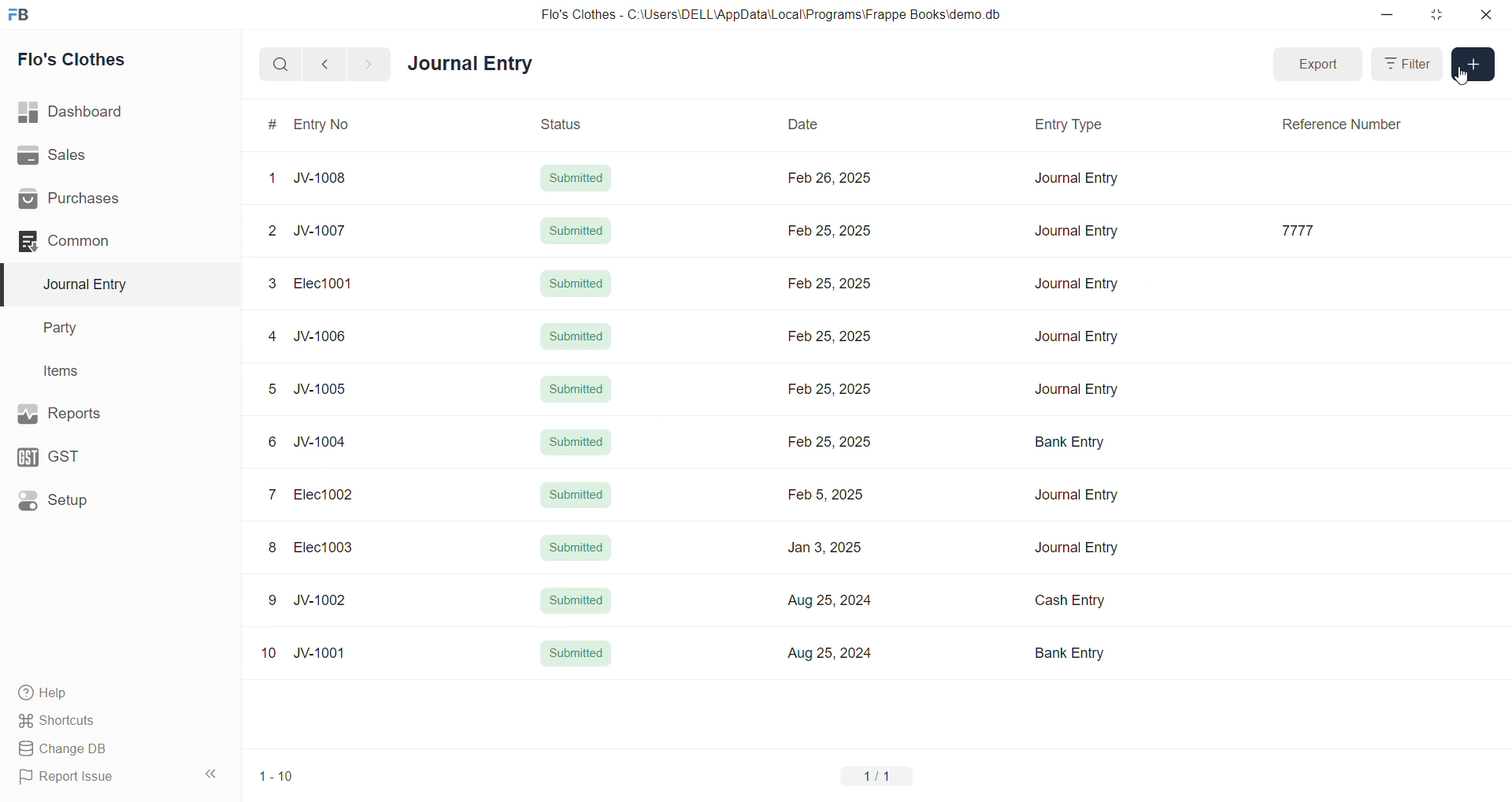 The image size is (1512, 802). What do you see at coordinates (321, 125) in the screenshot?
I see `Entry No` at bounding box center [321, 125].